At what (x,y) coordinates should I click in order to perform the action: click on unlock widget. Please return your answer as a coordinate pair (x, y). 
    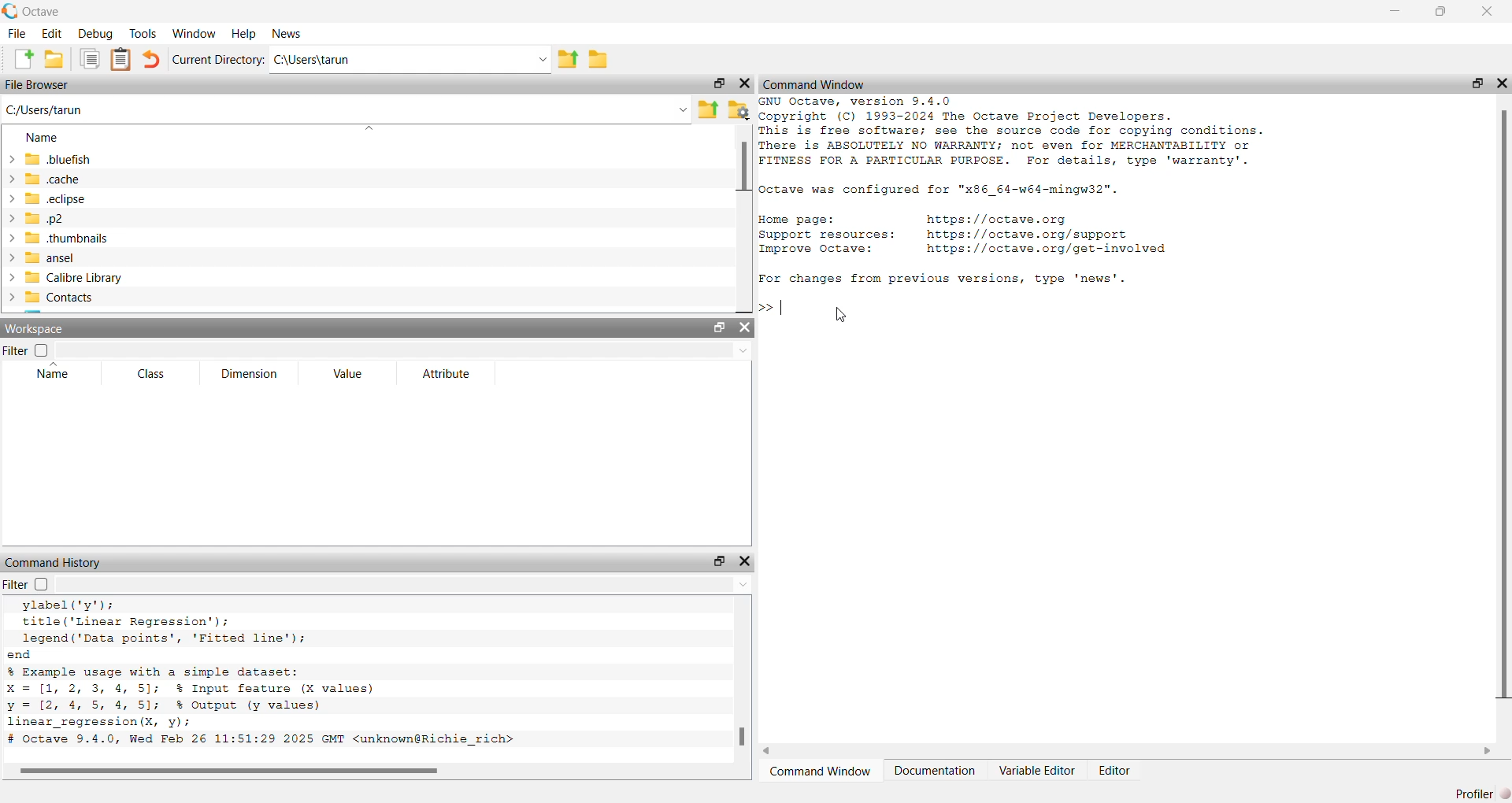
    Looking at the image, I should click on (717, 560).